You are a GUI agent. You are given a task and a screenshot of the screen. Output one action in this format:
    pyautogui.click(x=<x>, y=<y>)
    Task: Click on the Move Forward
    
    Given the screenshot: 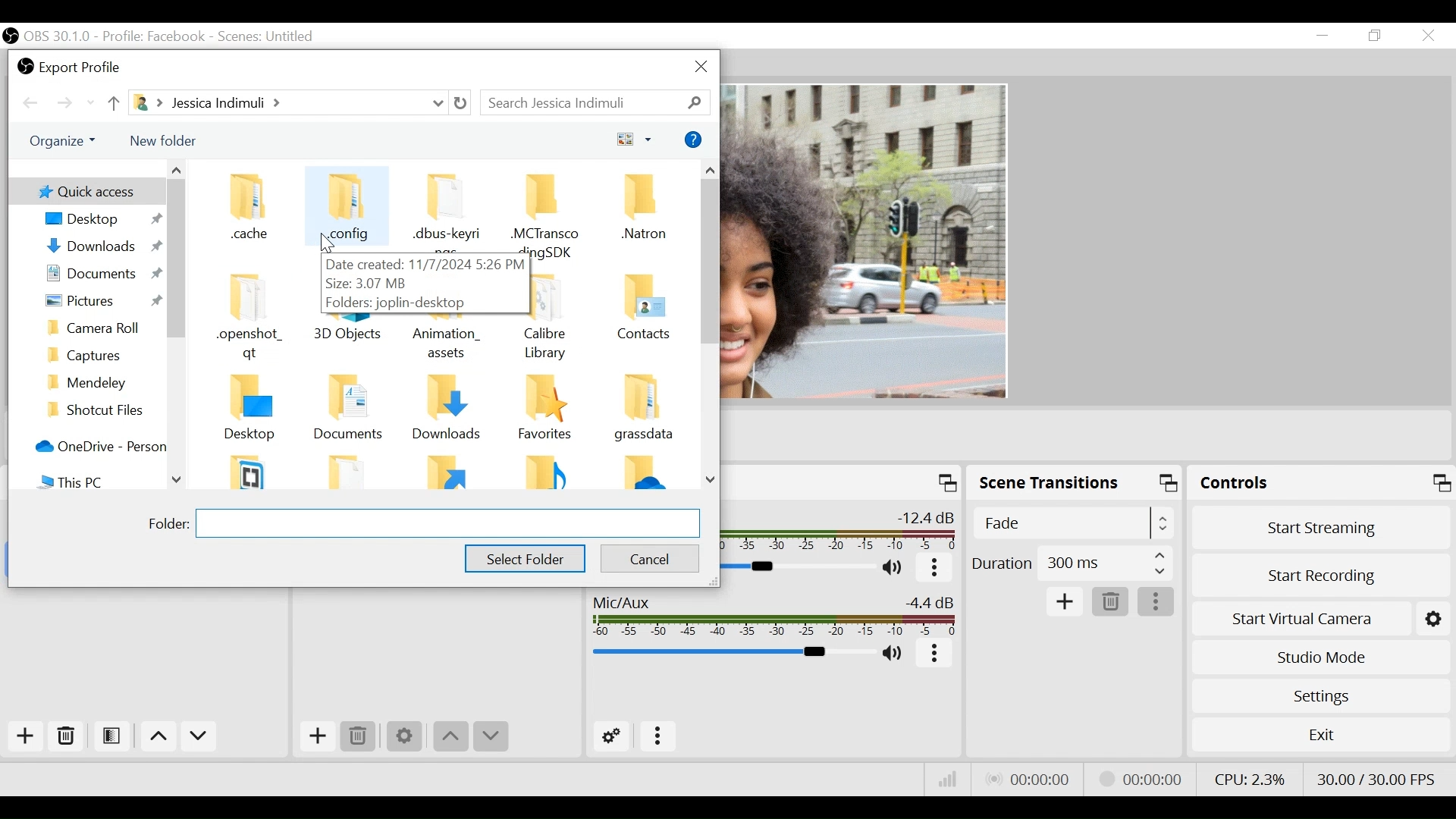 What is the action you would take?
    pyautogui.click(x=71, y=104)
    